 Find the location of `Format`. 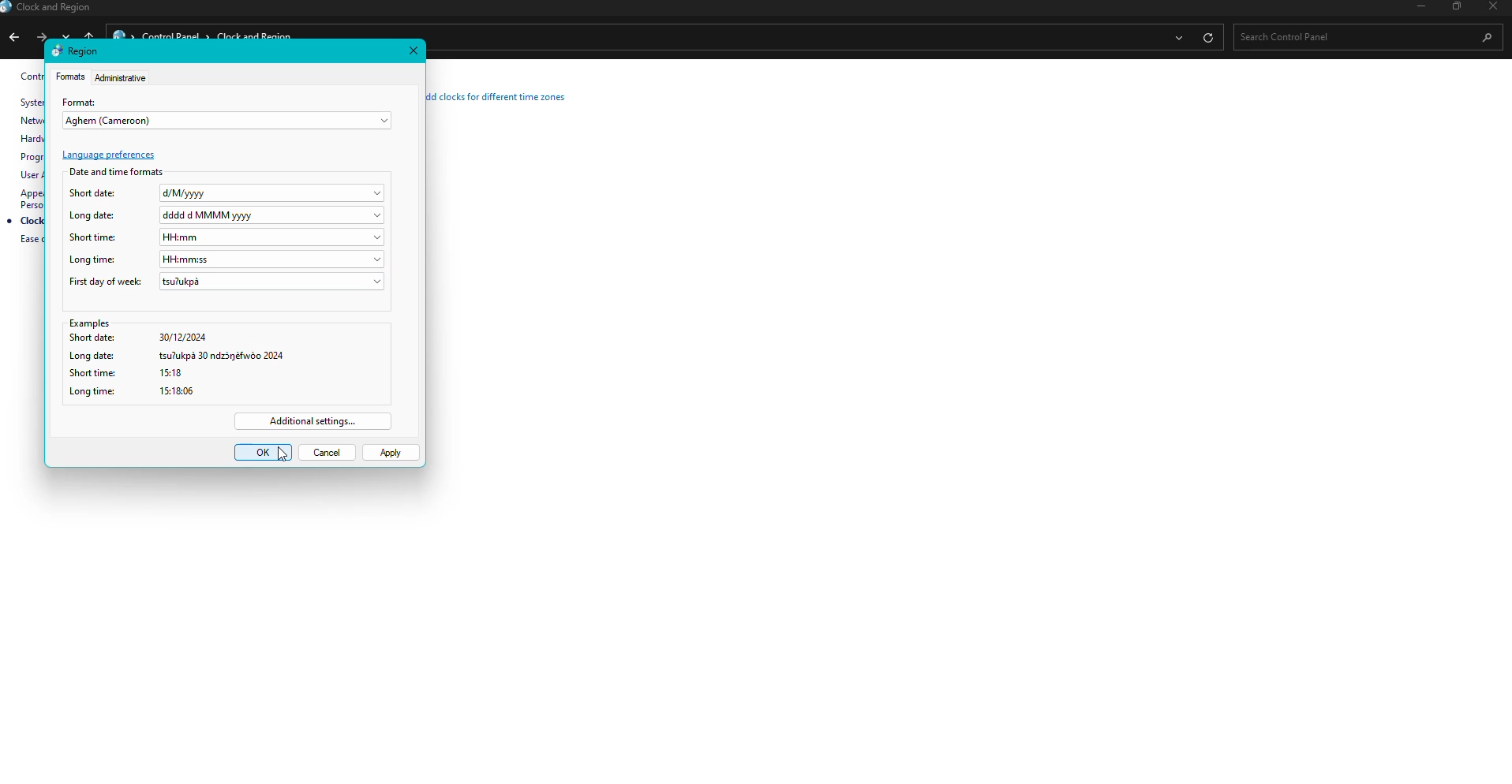

Format is located at coordinates (70, 77).